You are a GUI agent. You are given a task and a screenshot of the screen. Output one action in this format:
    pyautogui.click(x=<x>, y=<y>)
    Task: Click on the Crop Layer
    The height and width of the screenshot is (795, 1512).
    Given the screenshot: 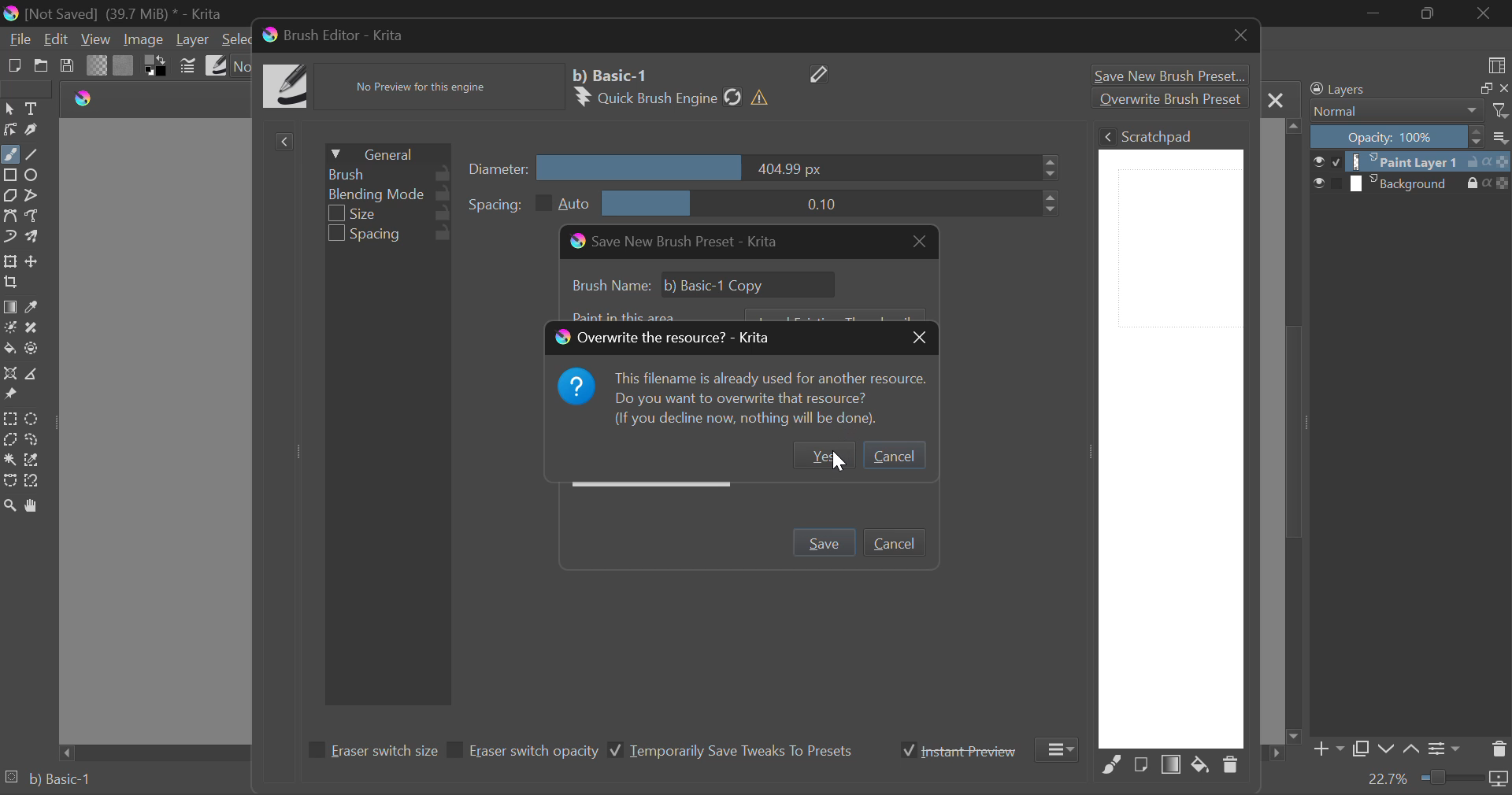 What is the action you would take?
    pyautogui.click(x=14, y=283)
    